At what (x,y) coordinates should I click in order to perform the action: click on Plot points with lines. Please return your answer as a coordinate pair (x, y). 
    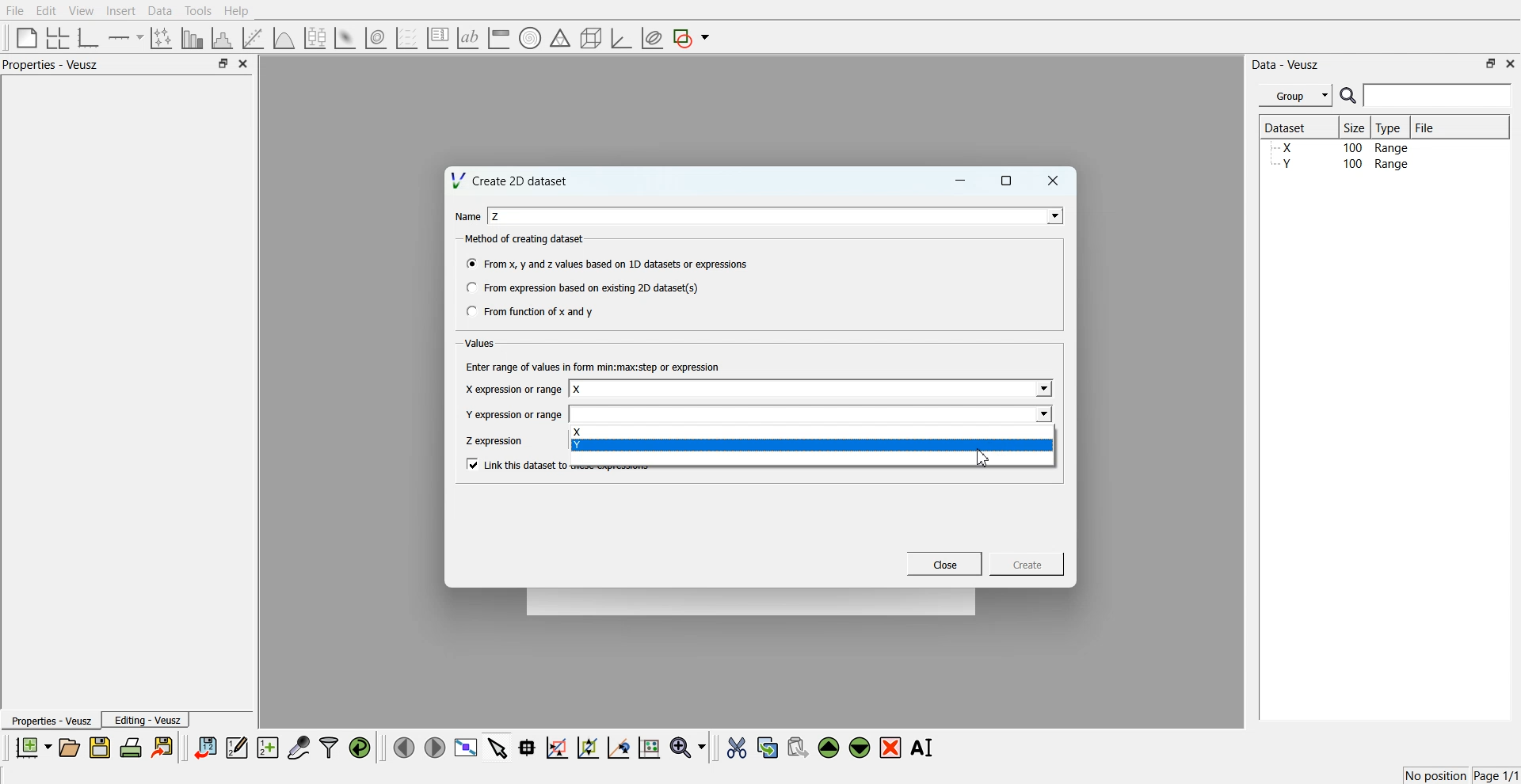
    Looking at the image, I should click on (162, 38).